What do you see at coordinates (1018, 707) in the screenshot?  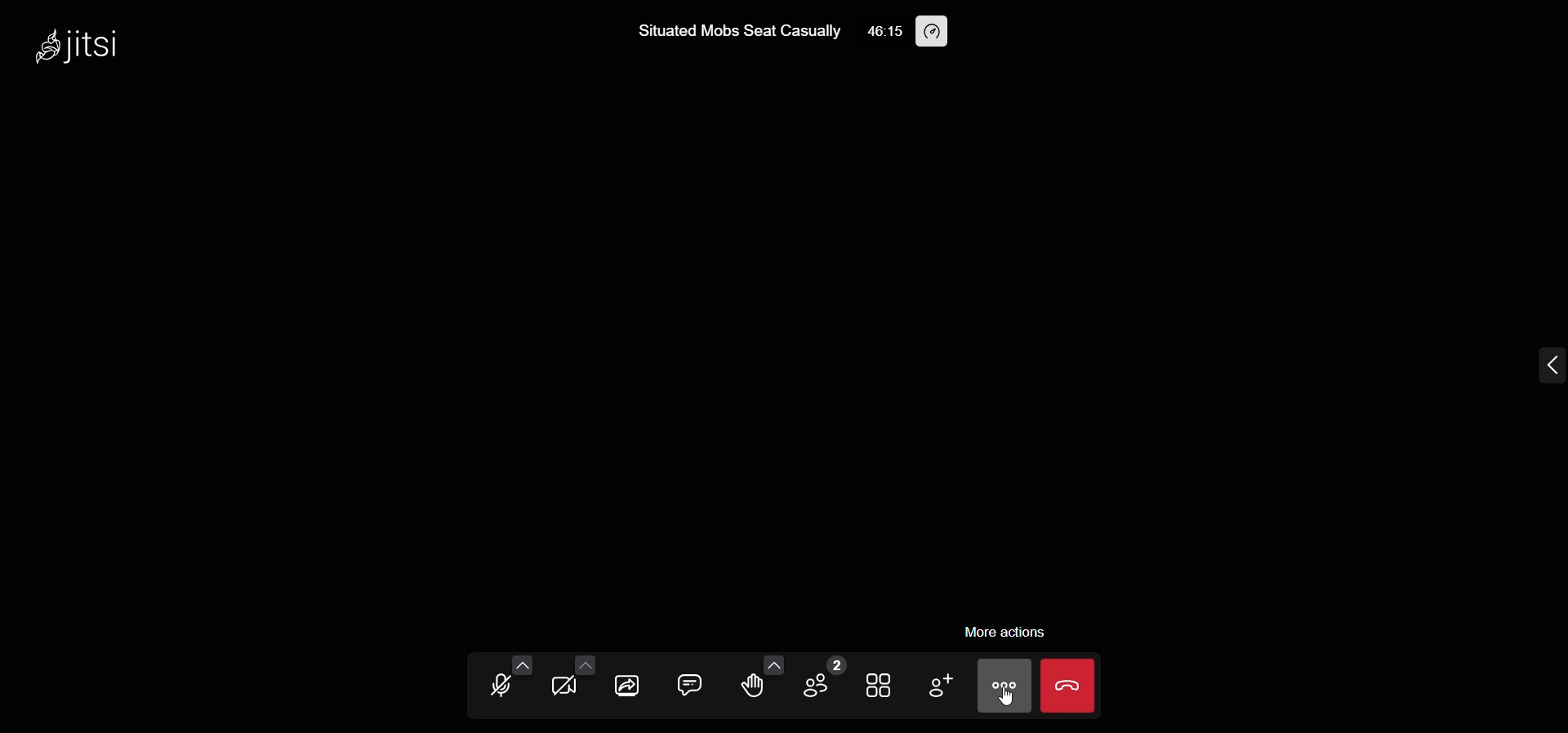 I see `cursor` at bounding box center [1018, 707].